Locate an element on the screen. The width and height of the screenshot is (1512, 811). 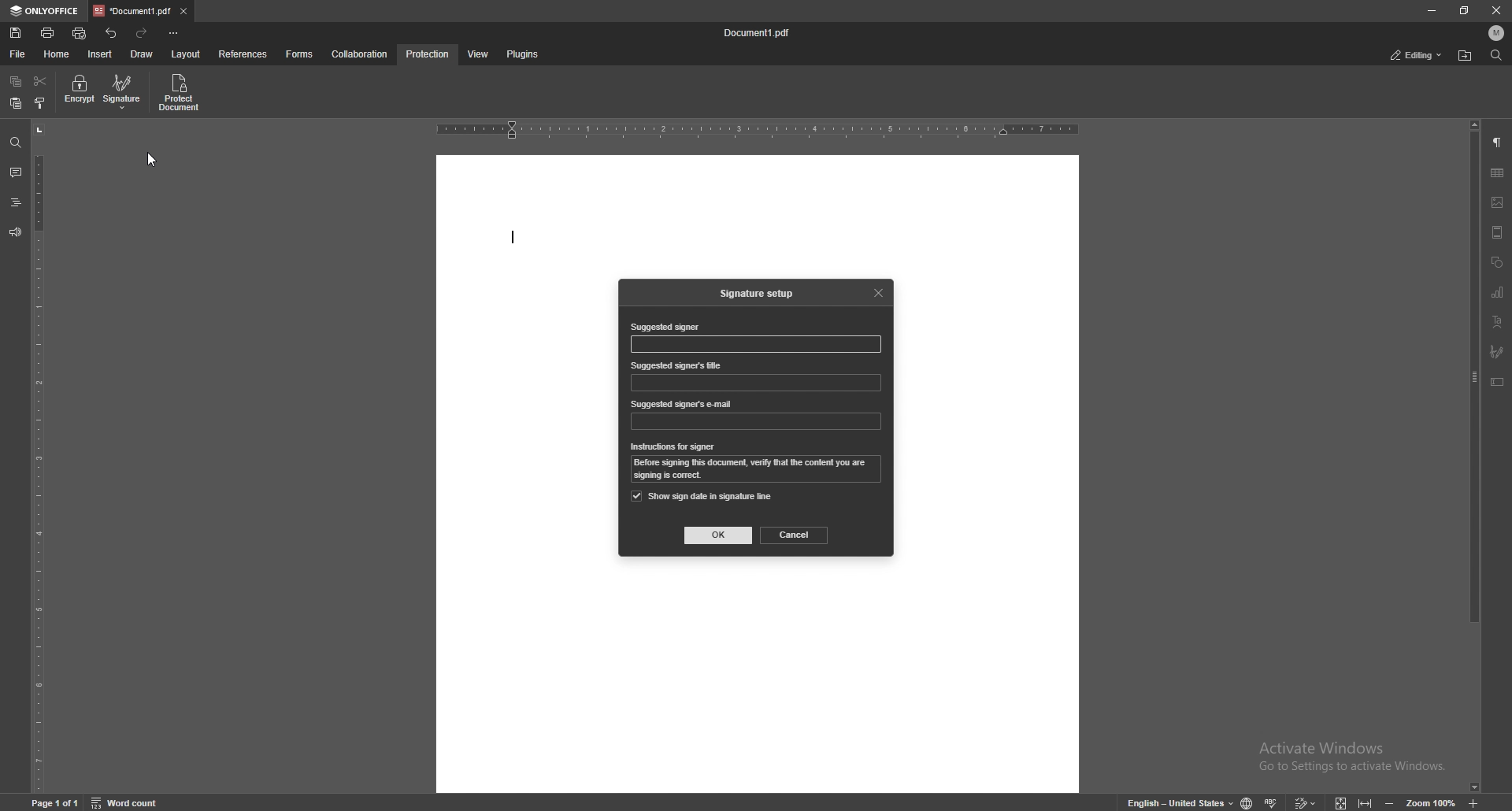
protect document is located at coordinates (181, 92).